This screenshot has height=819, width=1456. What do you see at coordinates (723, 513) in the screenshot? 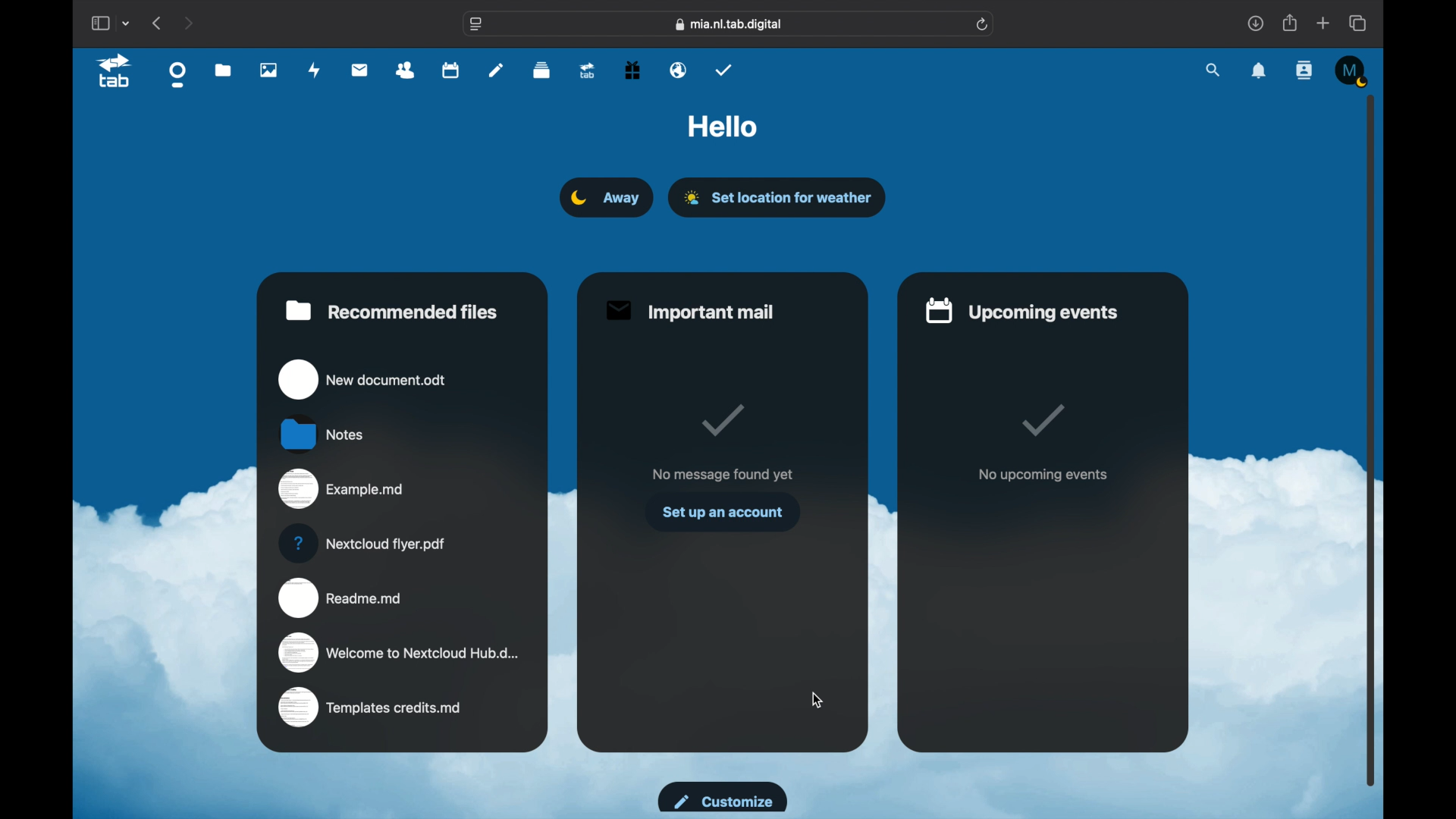
I see `set up an account` at bounding box center [723, 513].